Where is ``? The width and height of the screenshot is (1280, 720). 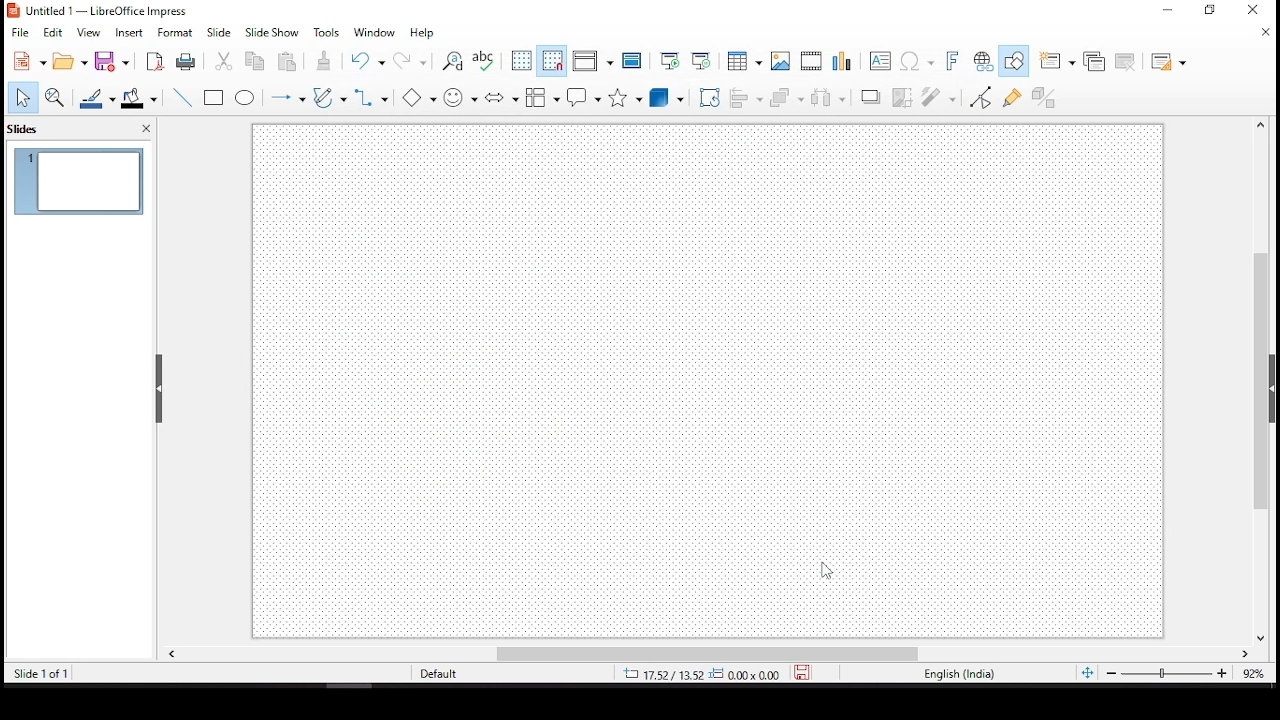
 is located at coordinates (779, 63).